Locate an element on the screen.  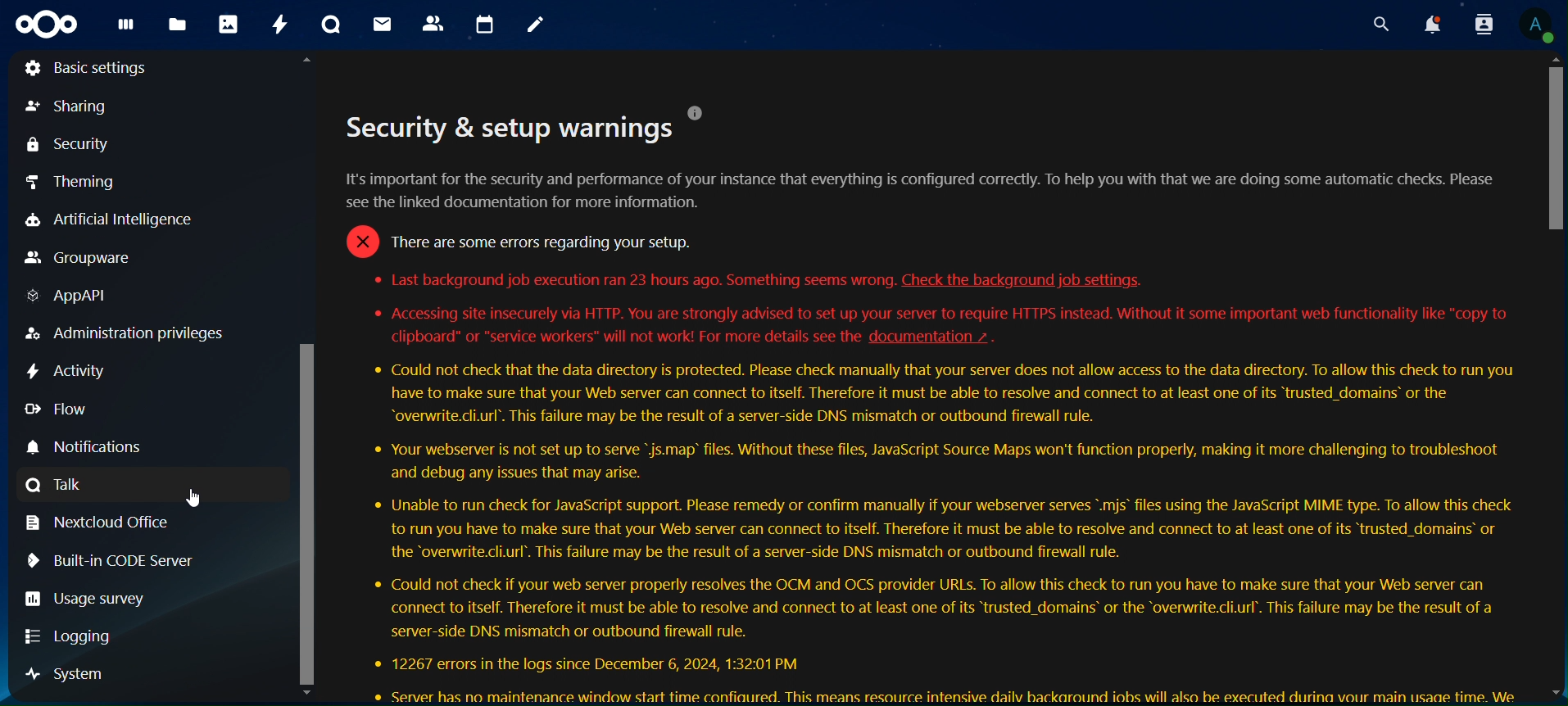
notifications is located at coordinates (101, 445).